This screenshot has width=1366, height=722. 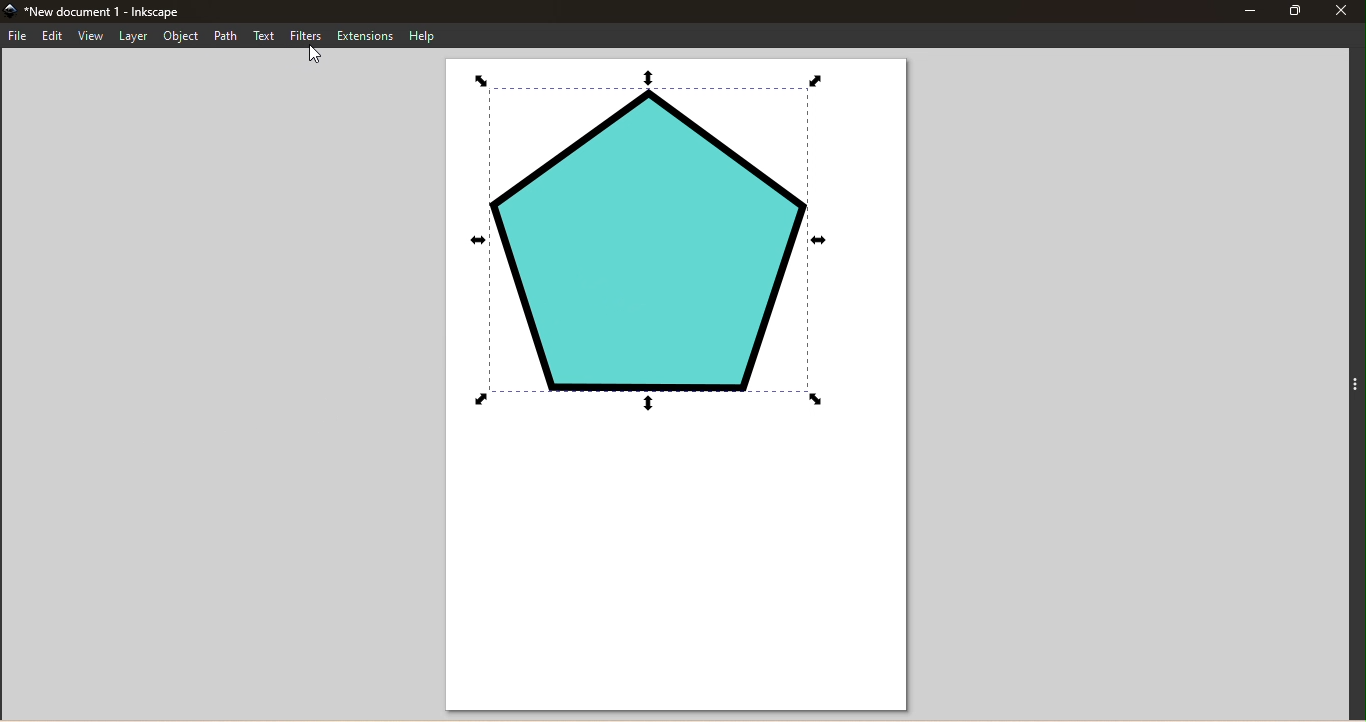 What do you see at coordinates (227, 36) in the screenshot?
I see `Path` at bounding box center [227, 36].